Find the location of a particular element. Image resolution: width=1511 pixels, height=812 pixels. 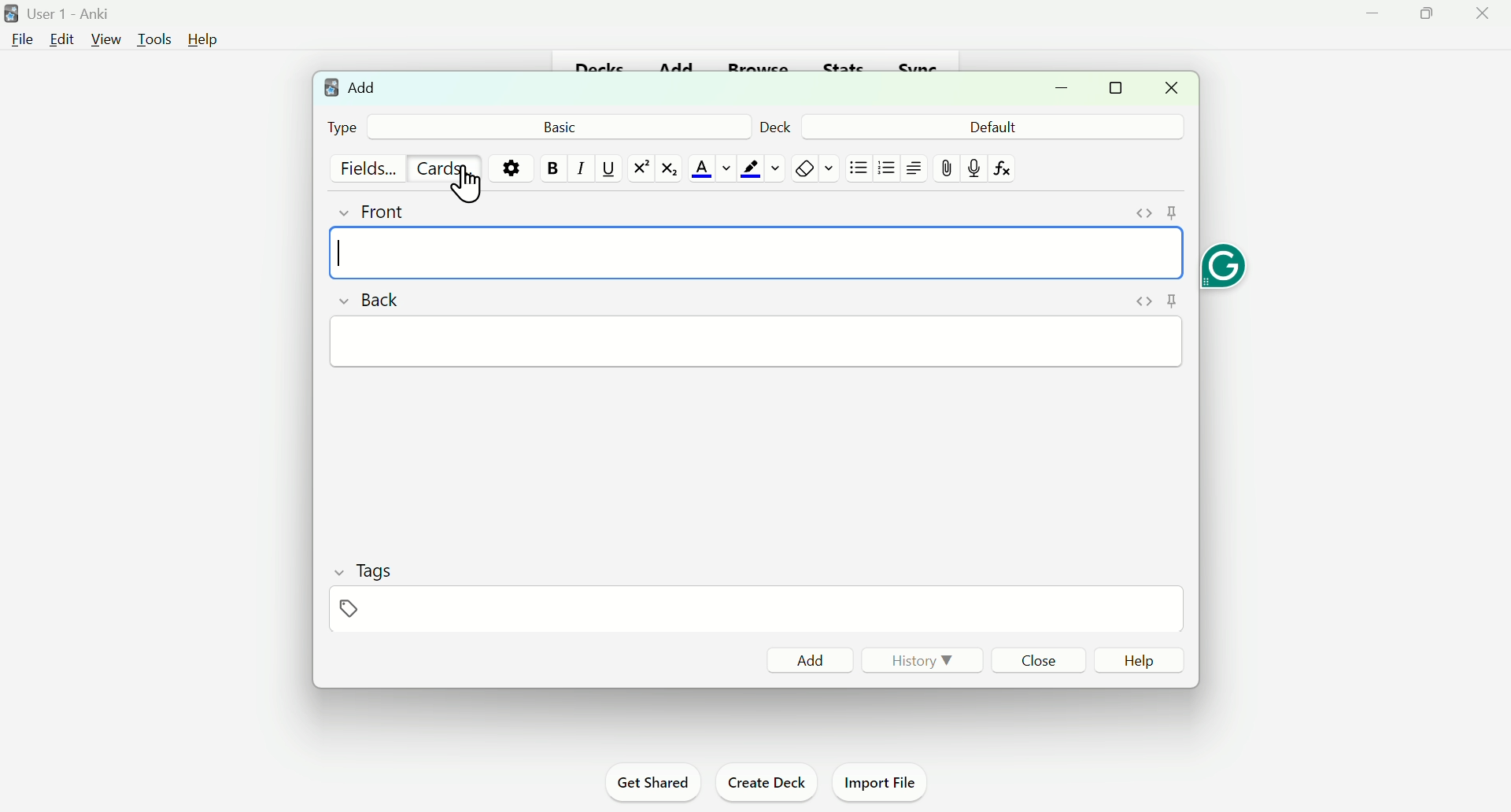

Add is located at coordinates (675, 63).